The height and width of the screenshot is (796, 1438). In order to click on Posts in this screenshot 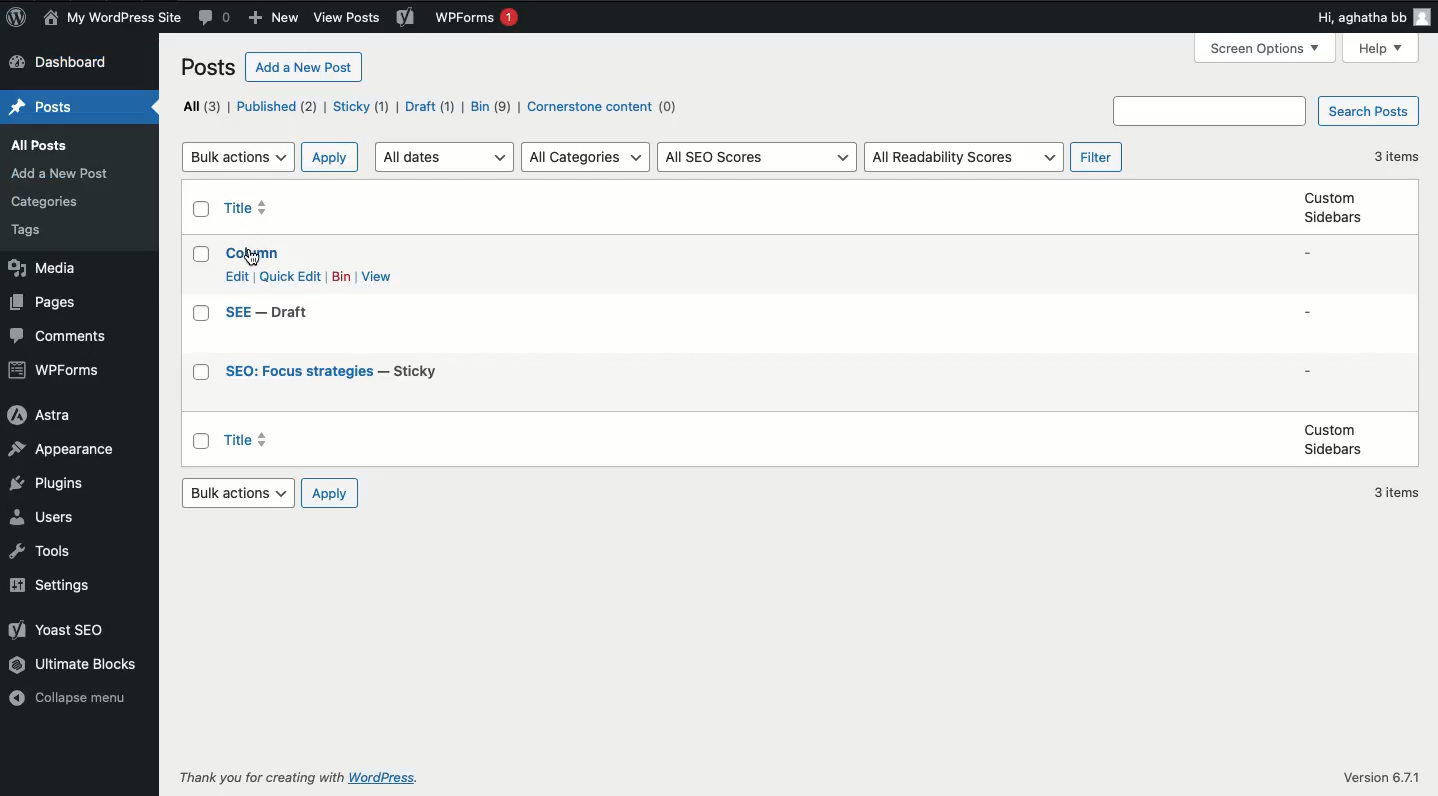, I will do `click(207, 68)`.